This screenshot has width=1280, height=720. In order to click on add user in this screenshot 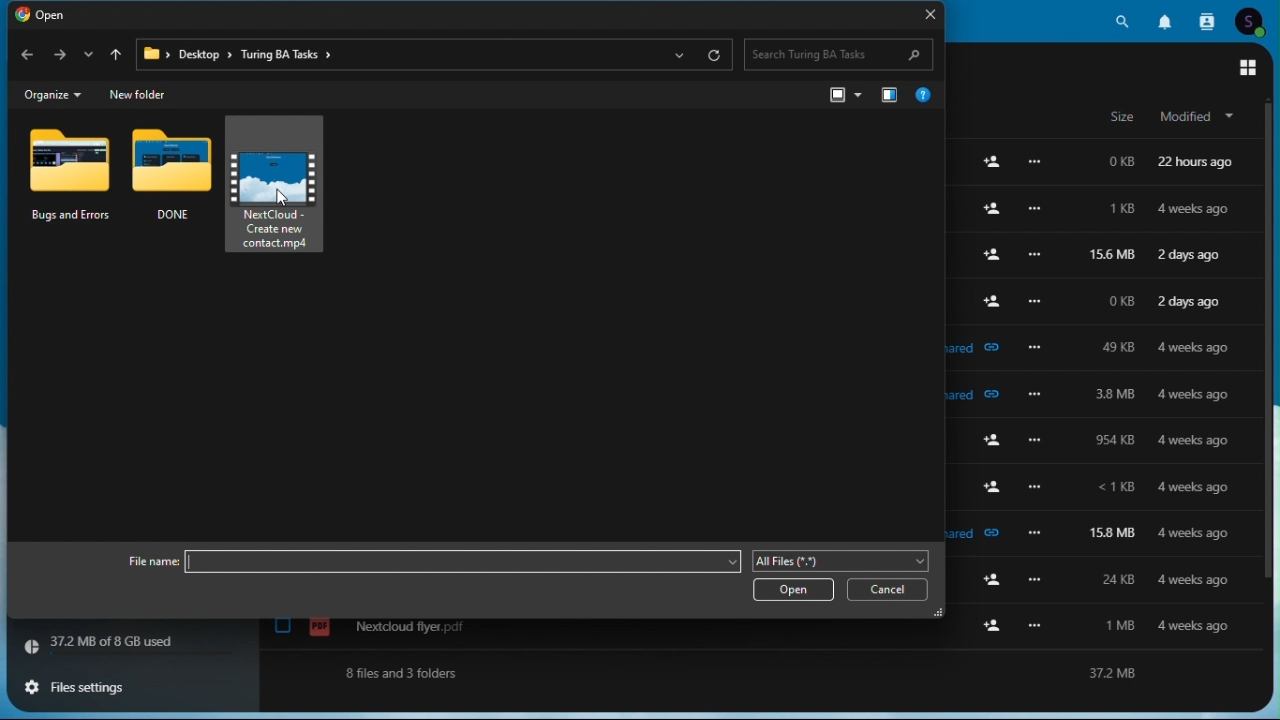, I will do `click(993, 300)`.